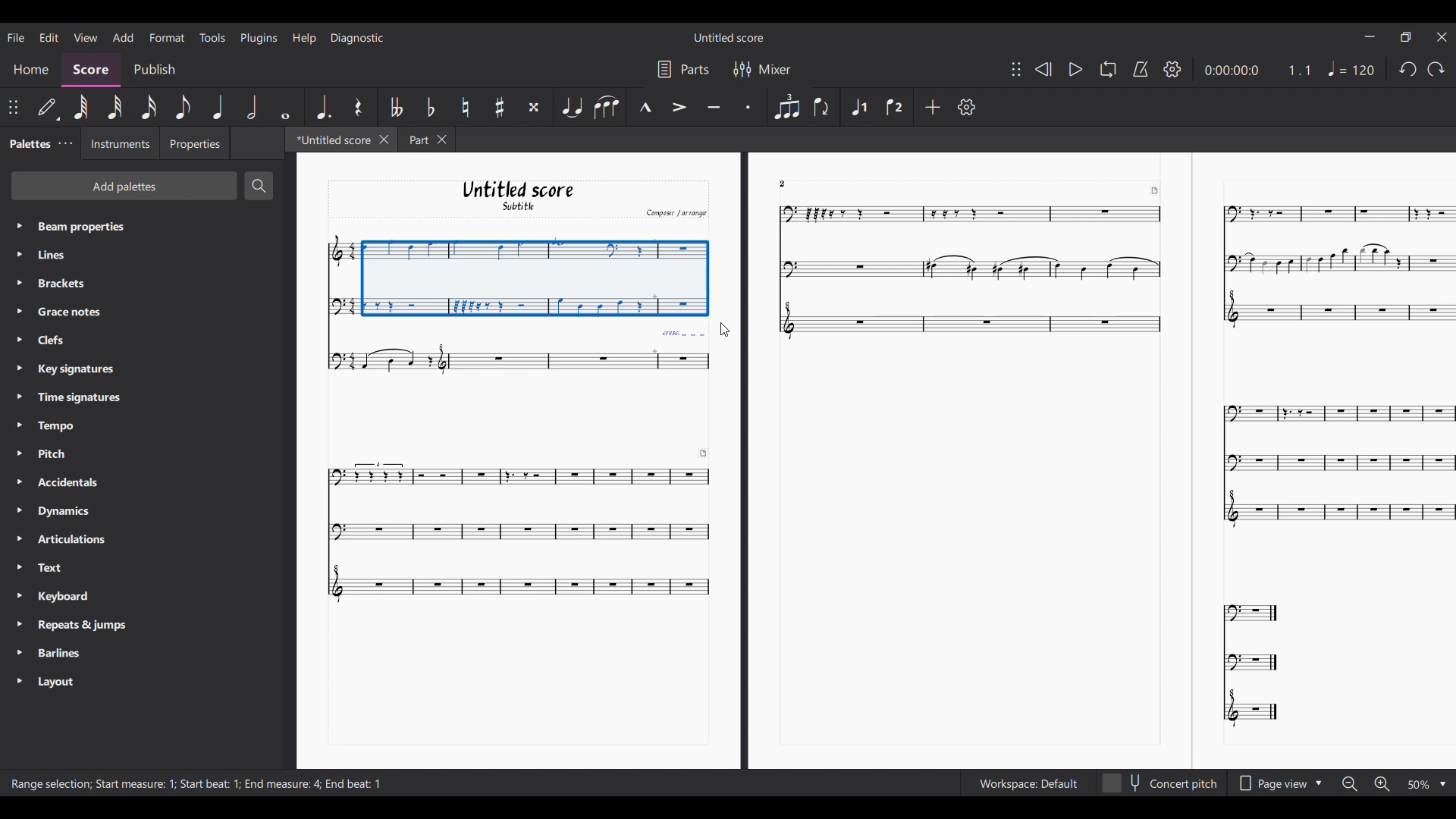 The image size is (1456, 819). I want to click on 64th note, so click(83, 108).